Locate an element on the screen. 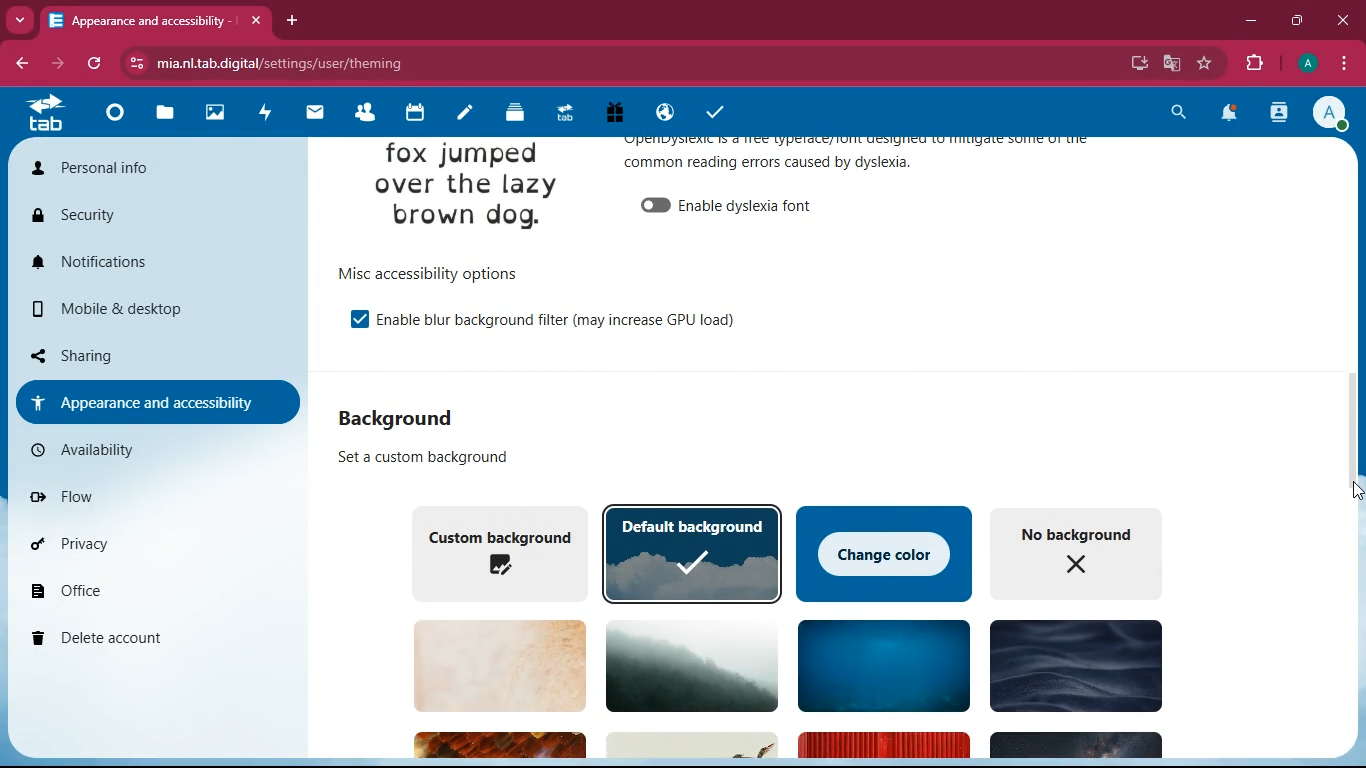  sharing is located at coordinates (146, 356).